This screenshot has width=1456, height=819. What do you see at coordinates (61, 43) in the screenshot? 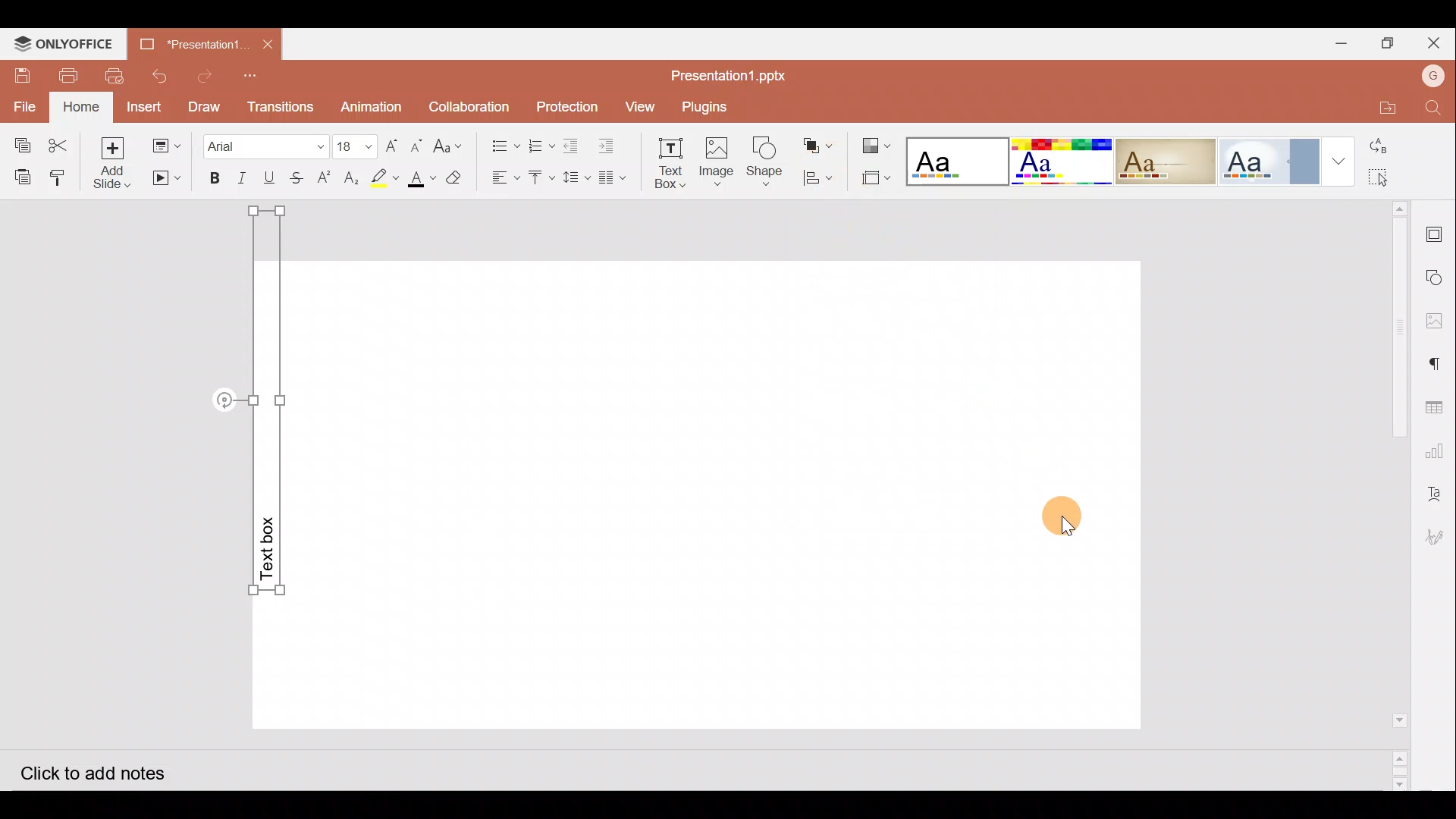
I see `ONLYOFFICE` at bounding box center [61, 43].